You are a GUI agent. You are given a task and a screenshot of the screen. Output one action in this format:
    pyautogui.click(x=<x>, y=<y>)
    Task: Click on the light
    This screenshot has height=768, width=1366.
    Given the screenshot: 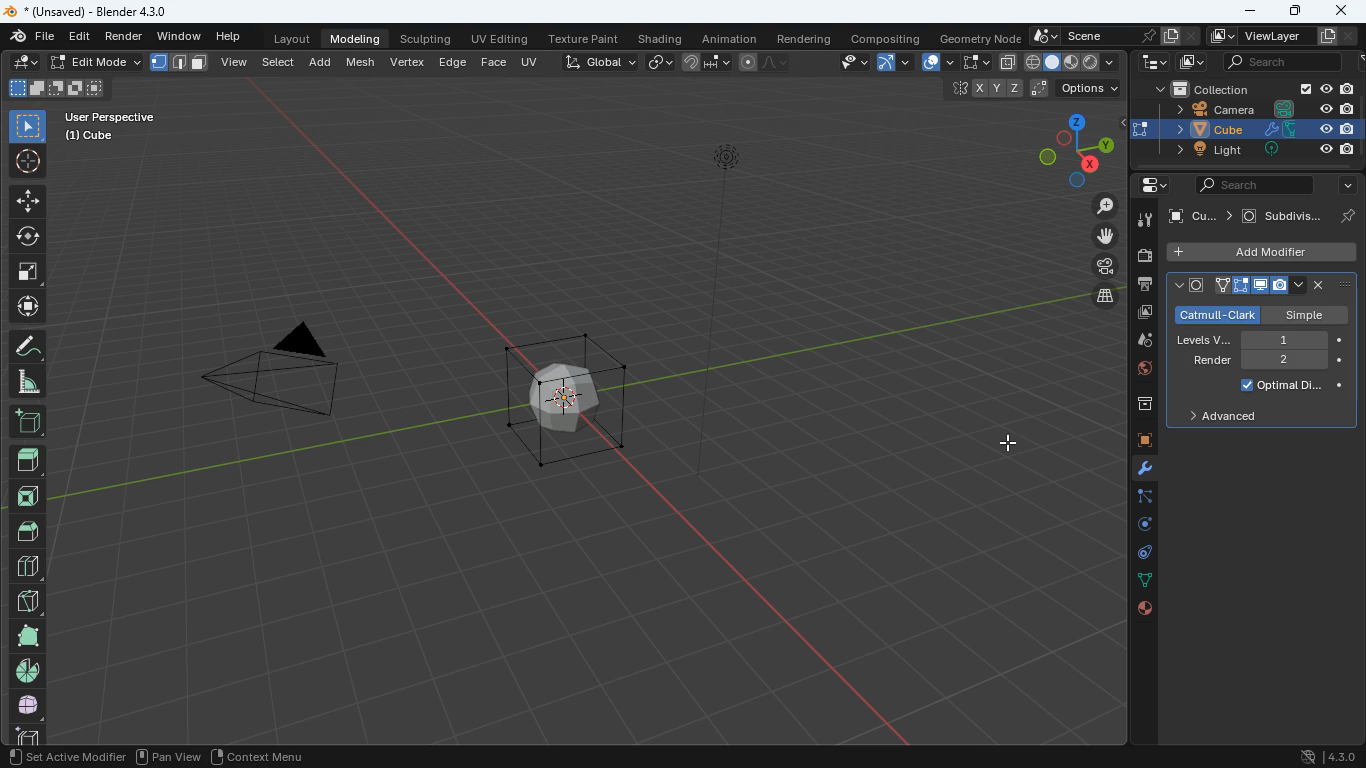 What is the action you would take?
    pyautogui.click(x=746, y=195)
    